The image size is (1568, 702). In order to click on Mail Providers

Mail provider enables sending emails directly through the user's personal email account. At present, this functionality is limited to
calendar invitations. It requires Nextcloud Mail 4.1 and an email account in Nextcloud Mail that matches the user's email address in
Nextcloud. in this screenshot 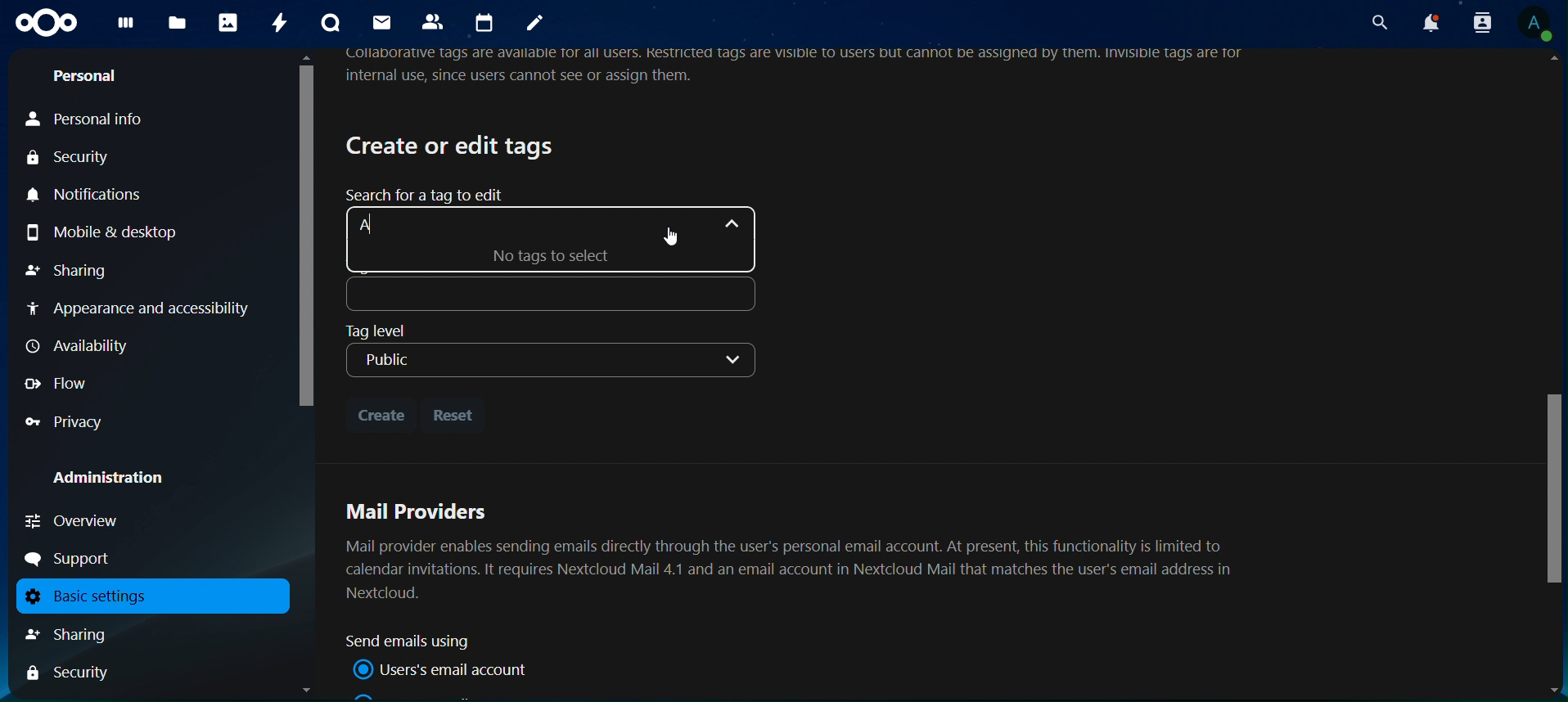, I will do `click(795, 549)`.